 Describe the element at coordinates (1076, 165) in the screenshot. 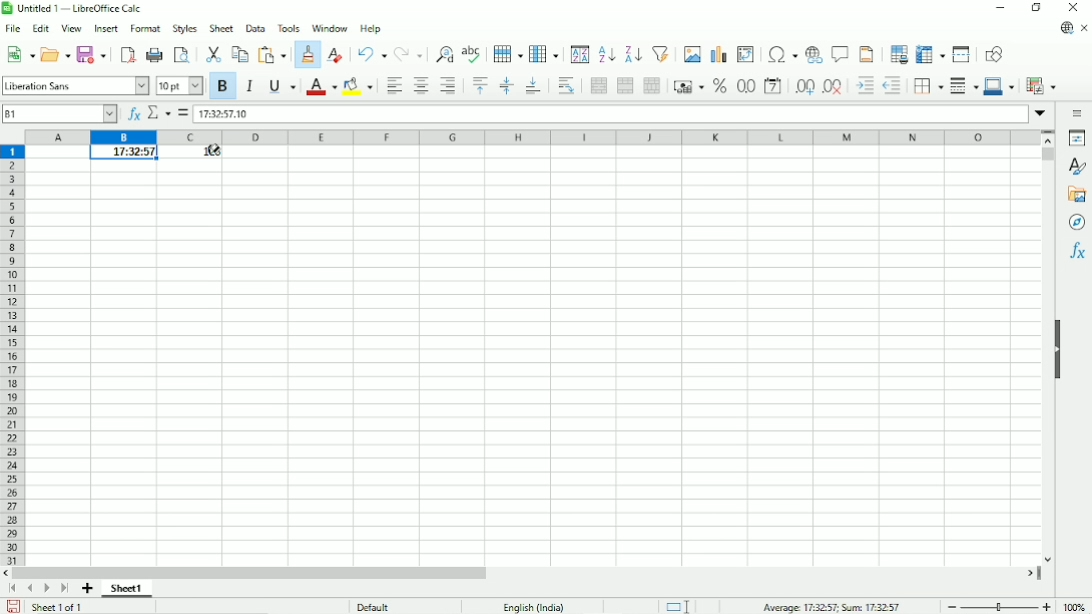

I see `Styles` at that location.